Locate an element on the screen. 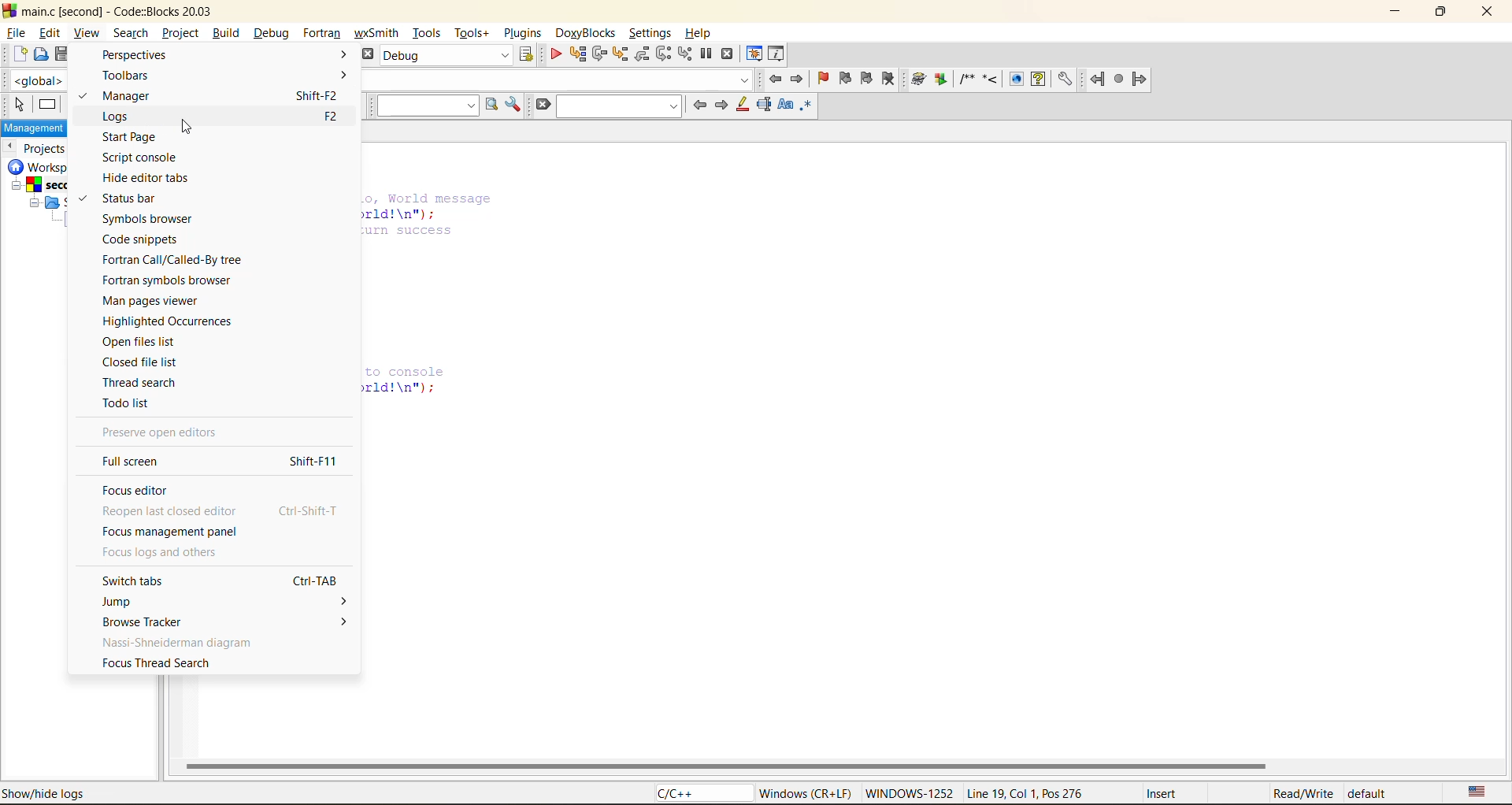 This screenshot has height=805, width=1512. show options window is located at coordinates (515, 106).